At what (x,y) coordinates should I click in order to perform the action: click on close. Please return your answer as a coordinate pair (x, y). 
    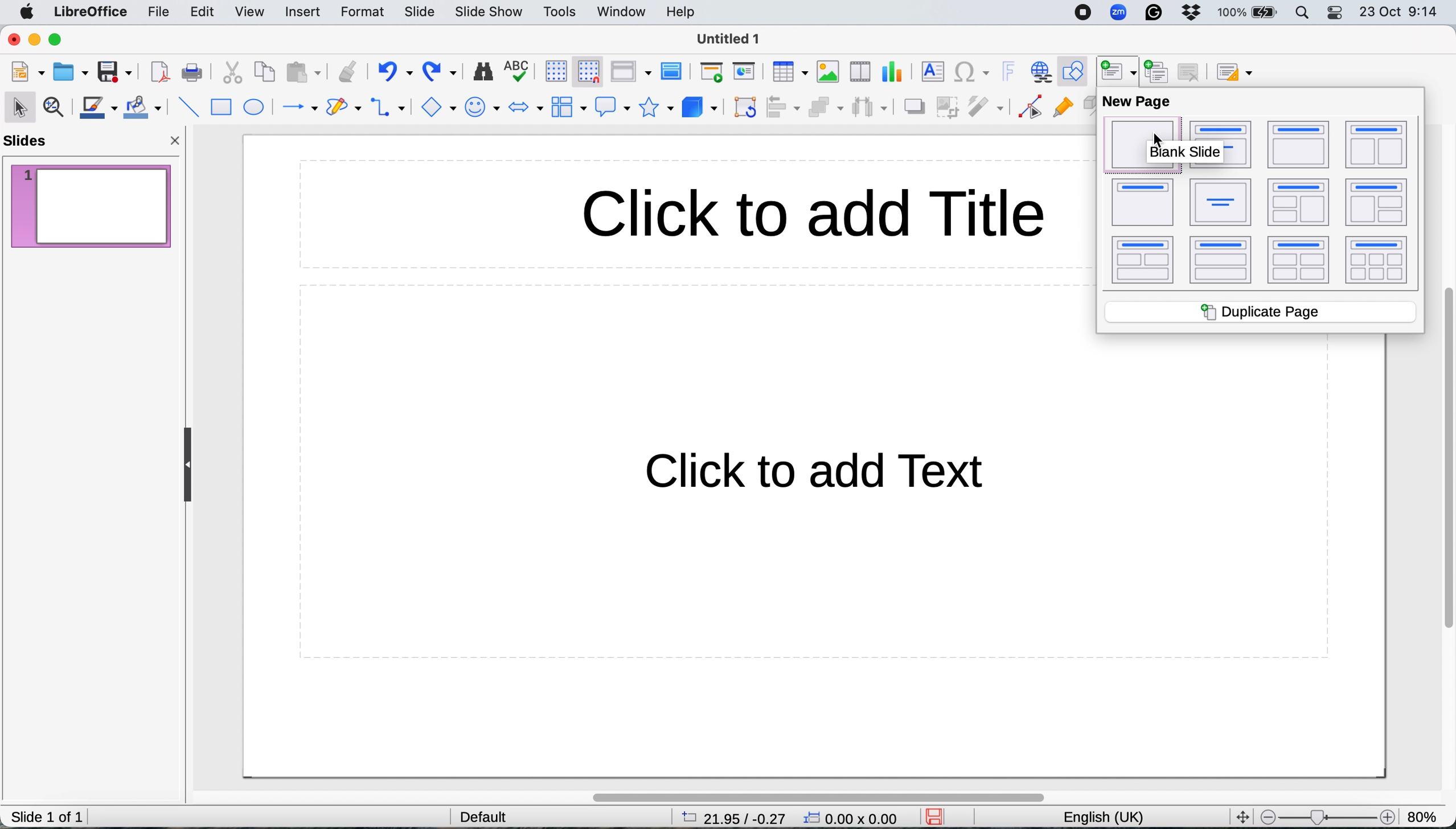
    Looking at the image, I should click on (178, 140).